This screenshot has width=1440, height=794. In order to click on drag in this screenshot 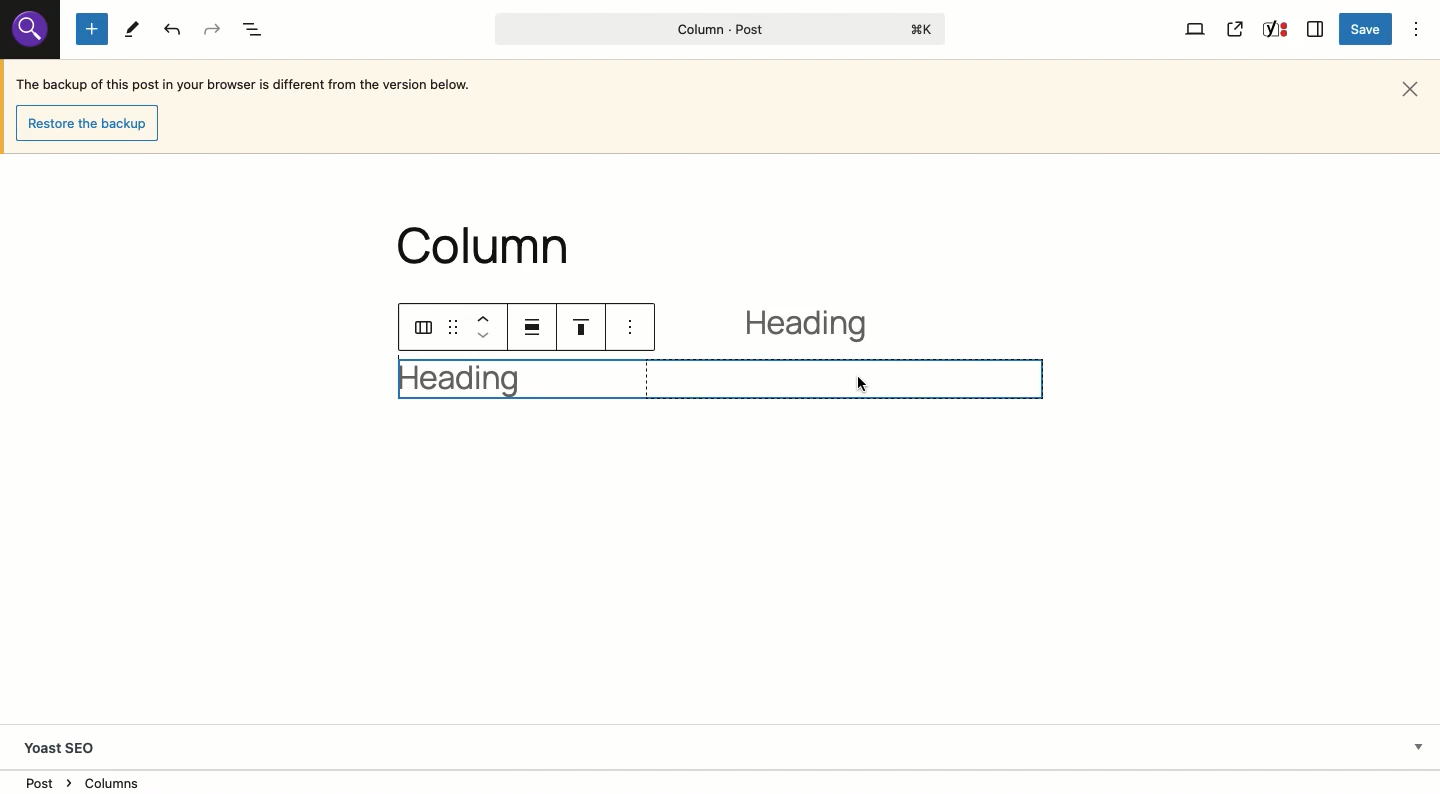, I will do `click(449, 327)`.